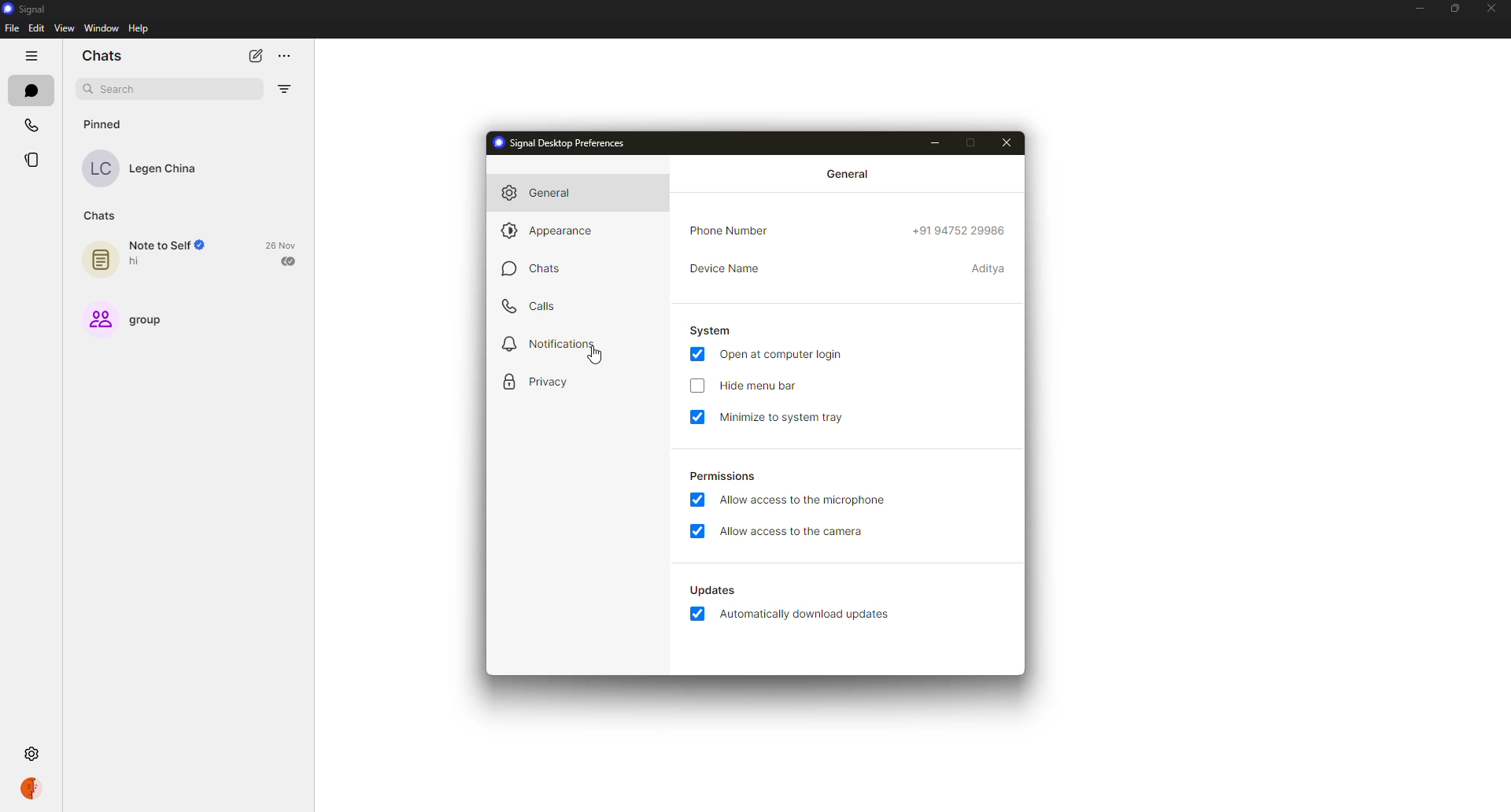 The height and width of the screenshot is (812, 1511). I want to click on view, so click(62, 28).